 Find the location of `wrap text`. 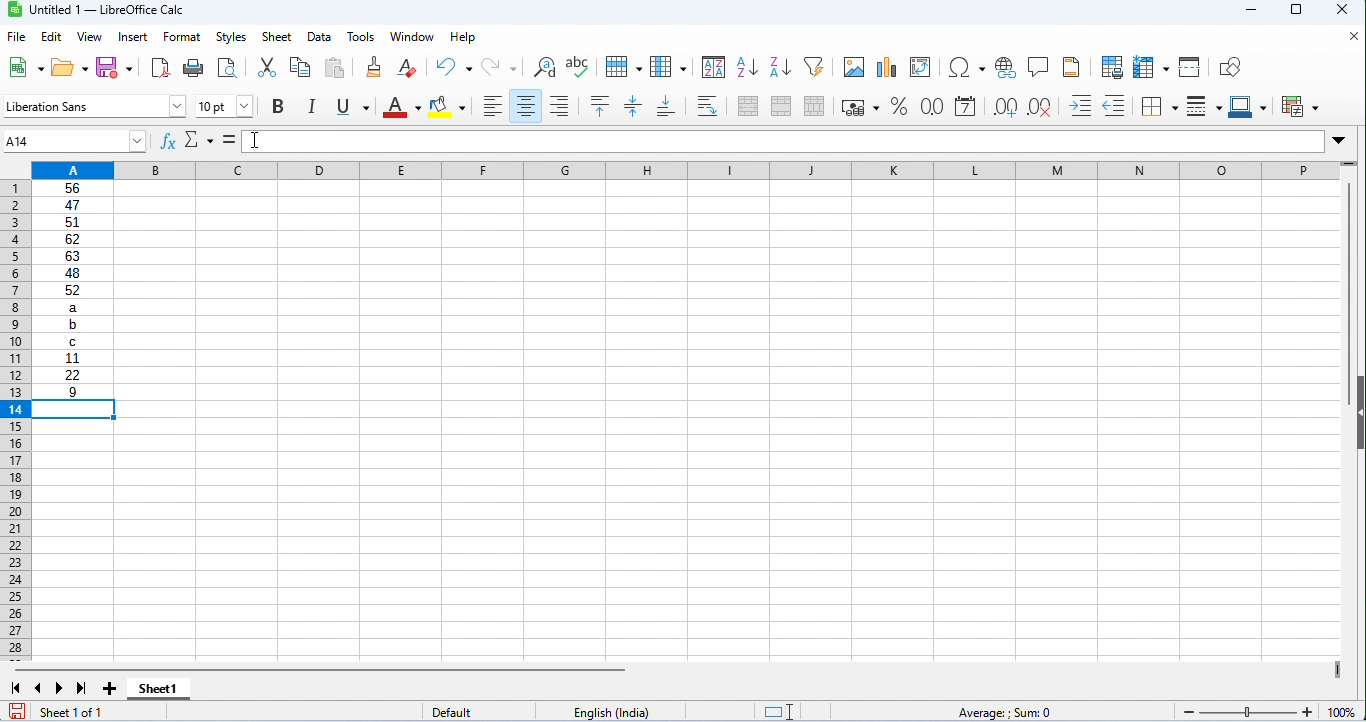

wrap text is located at coordinates (707, 106).